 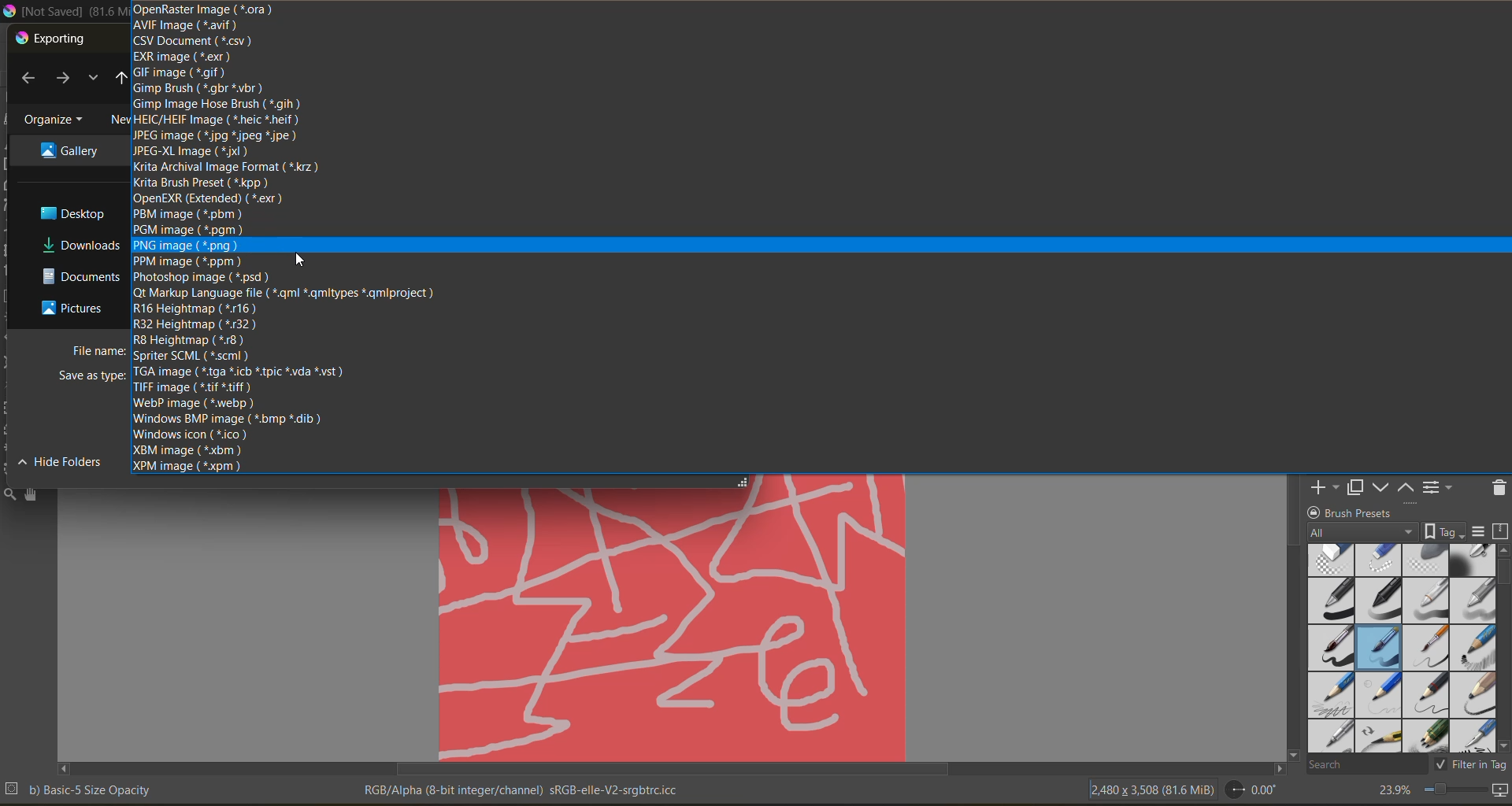 What do you see at coordinates (180, 72) in the screenshot?
I see `gif image` at bounding box center [180, 72].